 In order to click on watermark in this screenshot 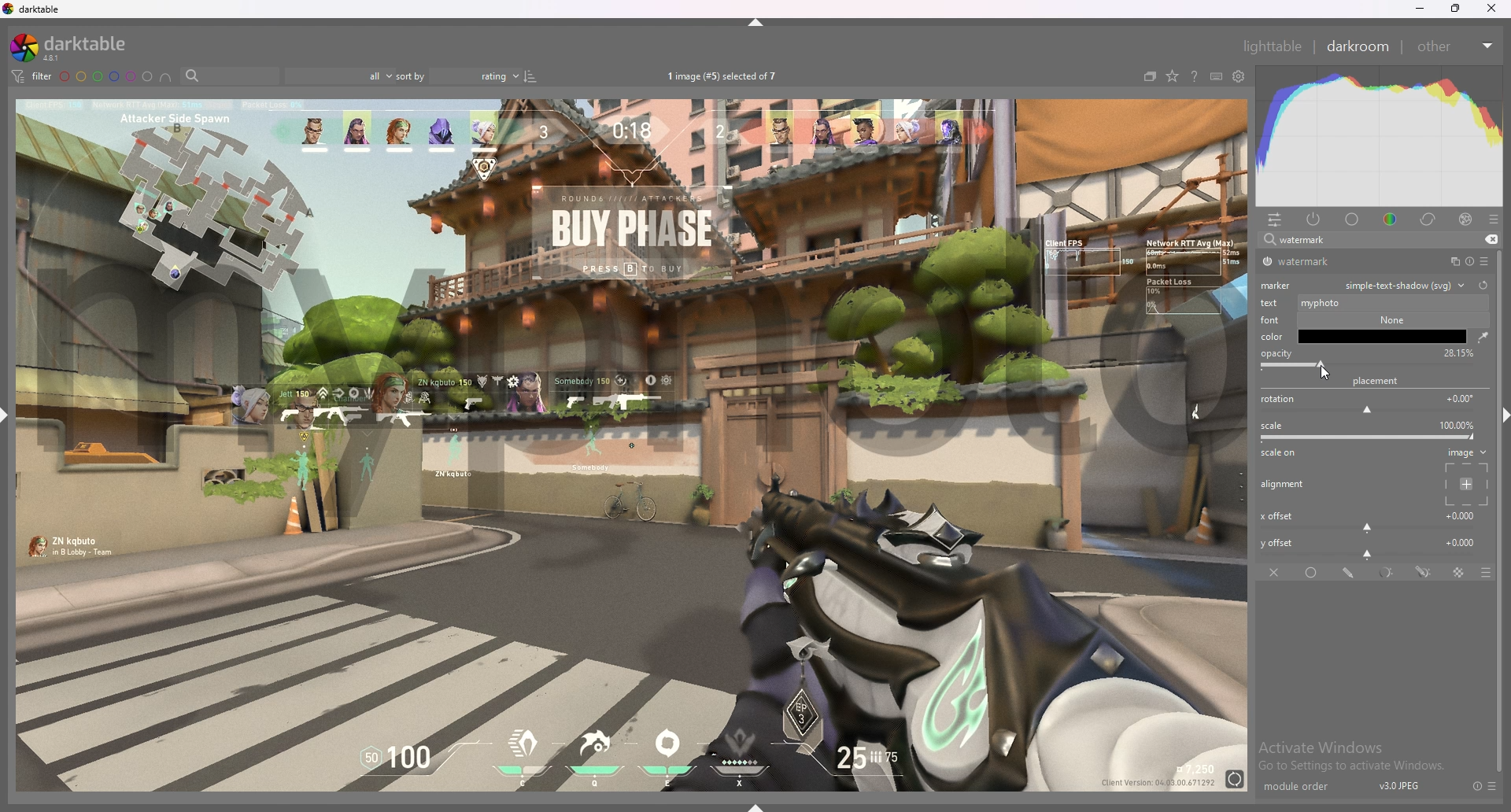, I will do `click(1317, 262)`.